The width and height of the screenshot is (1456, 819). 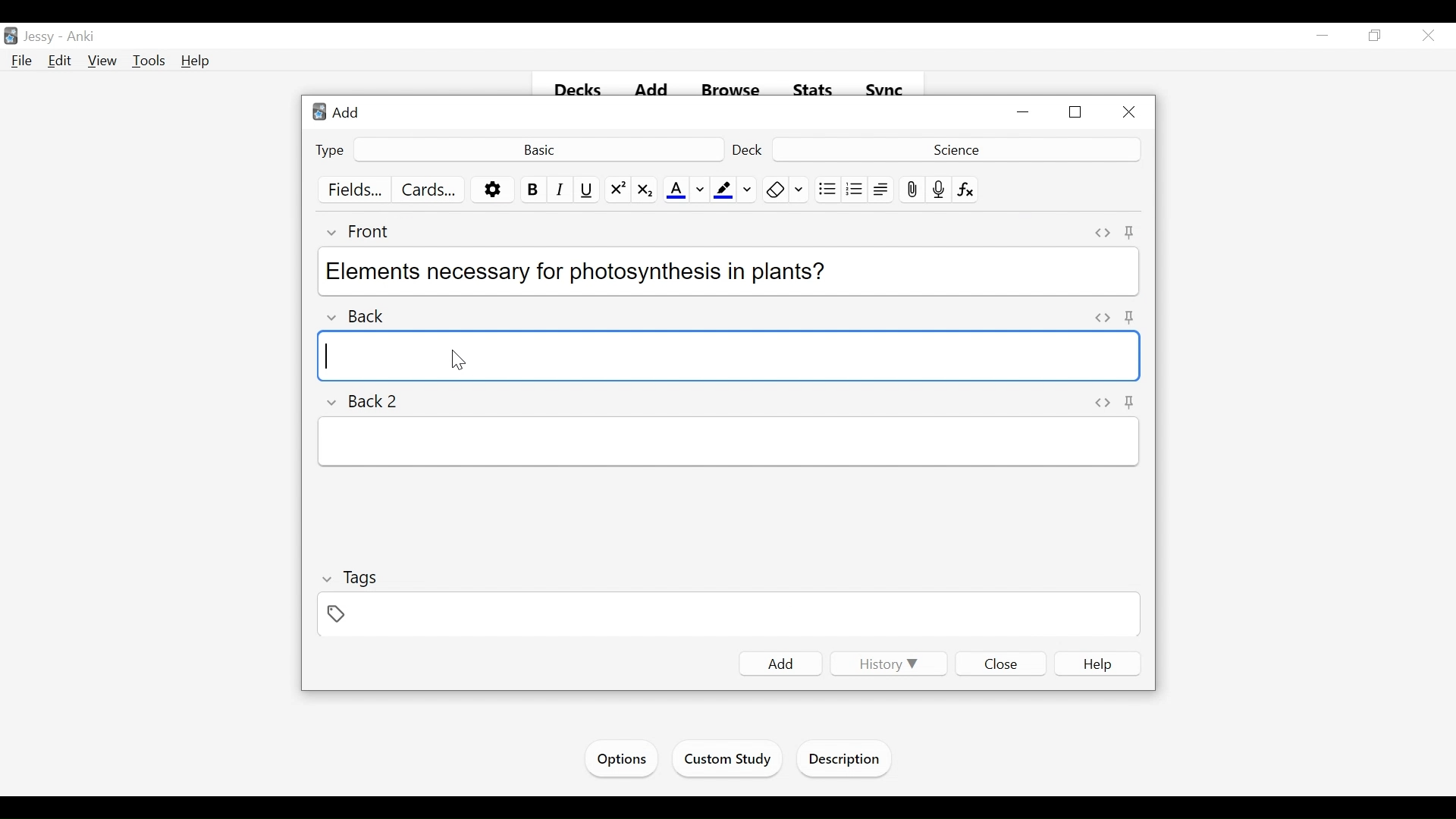 What do you see at coordinates (1426, 37) in the screenshot?
I see `Close` at bounding box center [1426, 37].